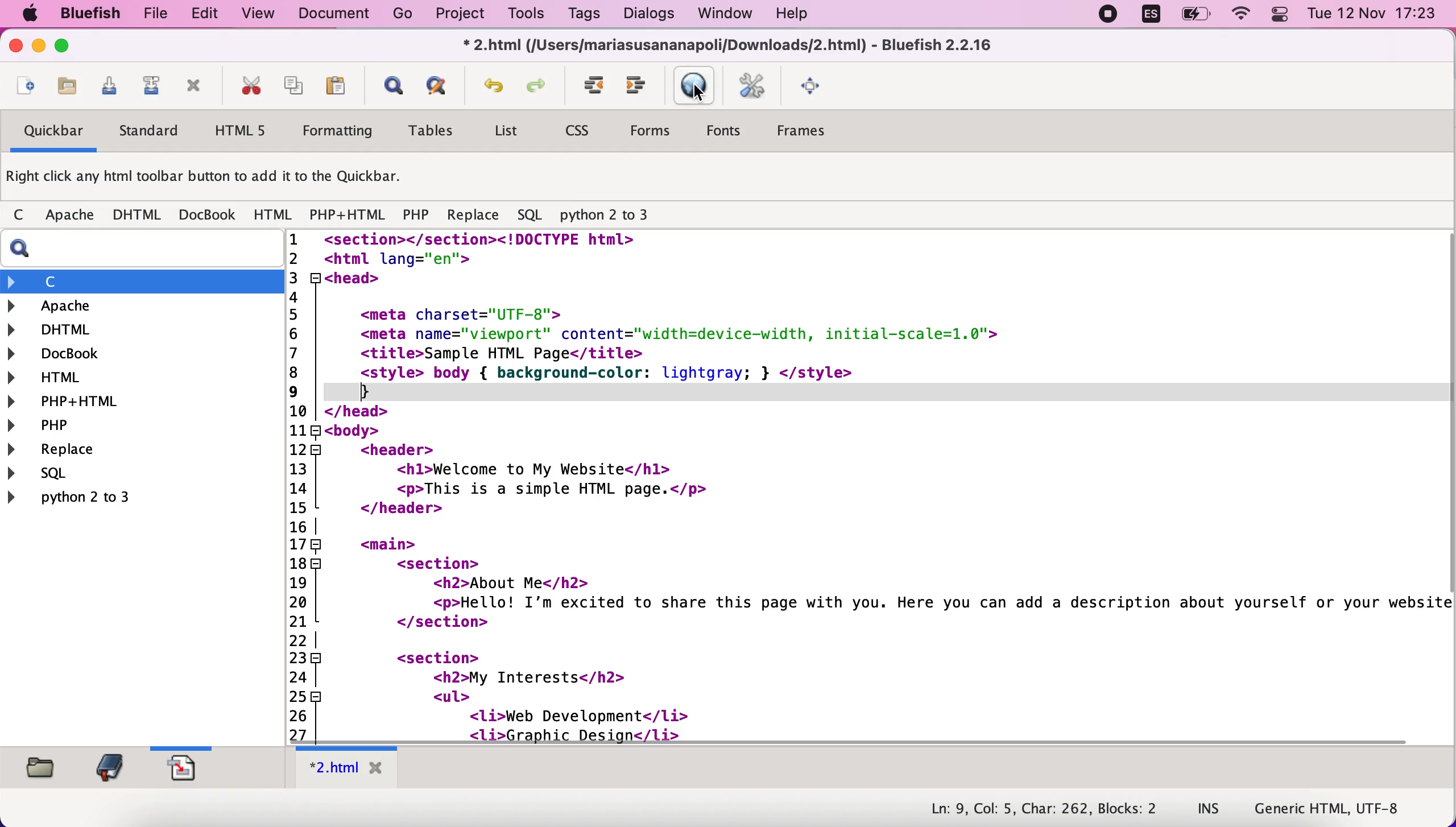  What do you see at coordinates (859, 484) in the screenshot?
I see `1 <section></section><!DOCTYPE html>
2 <html lang="en">
3 H<head>
4
5 <meta charset="UTF-8">
6 <meta name="viewport" content="width=device-width, initial-scale=1.0">
7 <title>Sample HTML Page</title>
8 Nib body { background-color: lightgray; } </style>
9
10 | </head>
11 <body>
12 <header>
13 <hl>Welcome to My Website</hl>
14 <p>This is a simple HTML page.</p>
15 </header>
16 |
178 <main>
18 <section>
19 <h2>About Me</h2>
20 <p>Hello! I'm excited to share this page with you. Here you can add a description about yourself or your websi
21 </section>
22 |
23 <section>
ij <h2>My Interests</h2>
25 <ul>
26 <li>Web Development</li>
<li> i ian</1i>` at bounding box center [859, 484].